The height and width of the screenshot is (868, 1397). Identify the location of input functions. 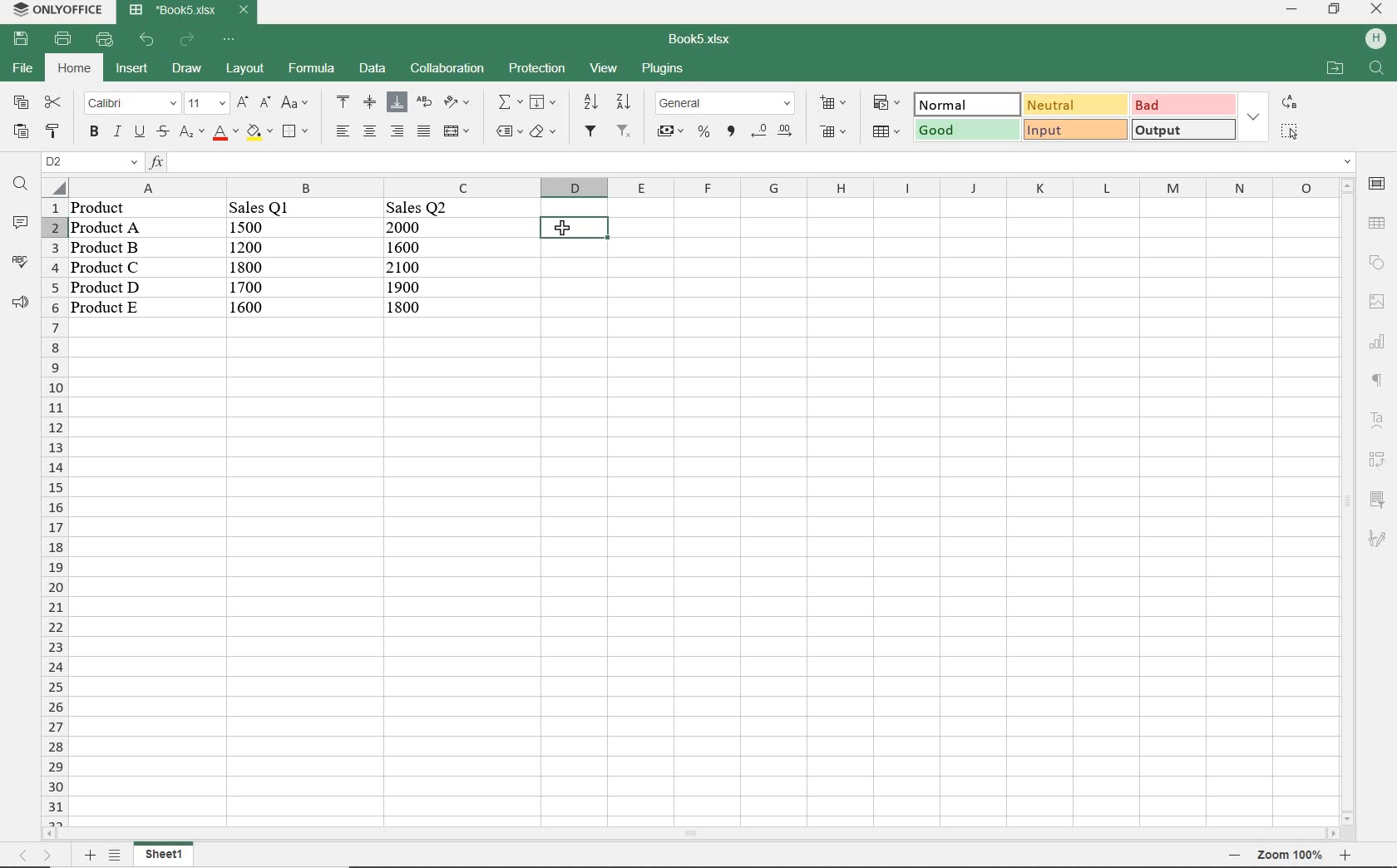
(753, 163).